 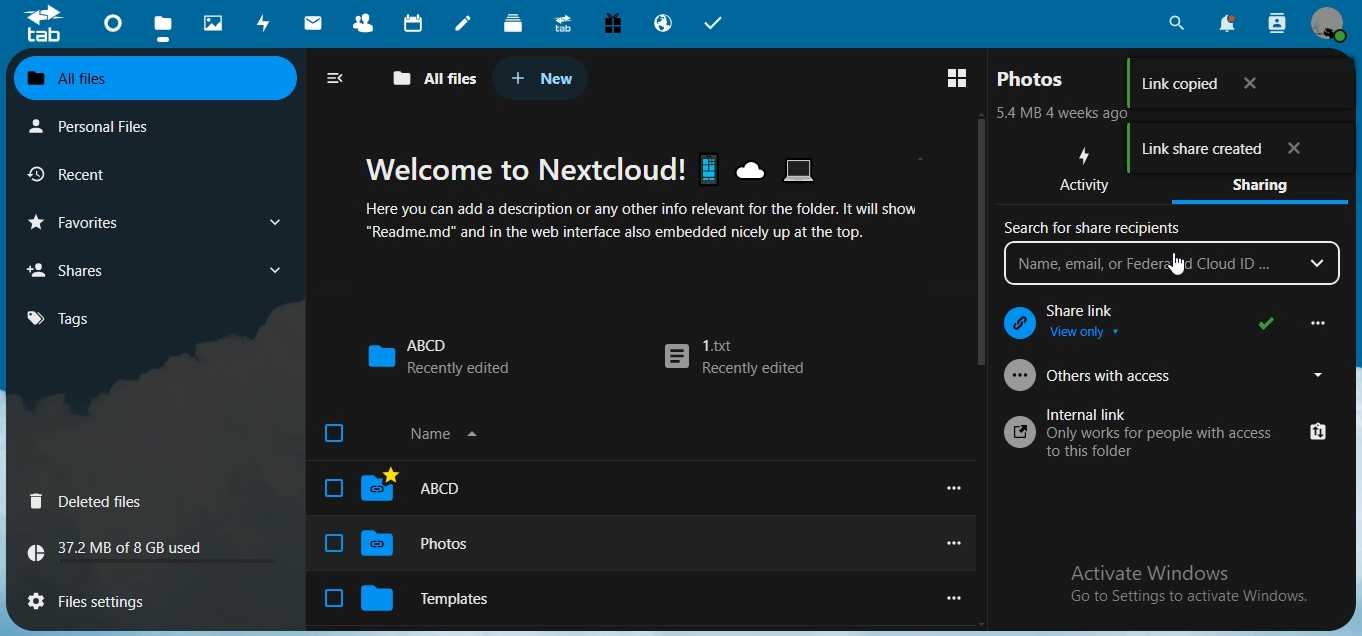 I want to click on switch to grid view, so click(x=956, y=78).